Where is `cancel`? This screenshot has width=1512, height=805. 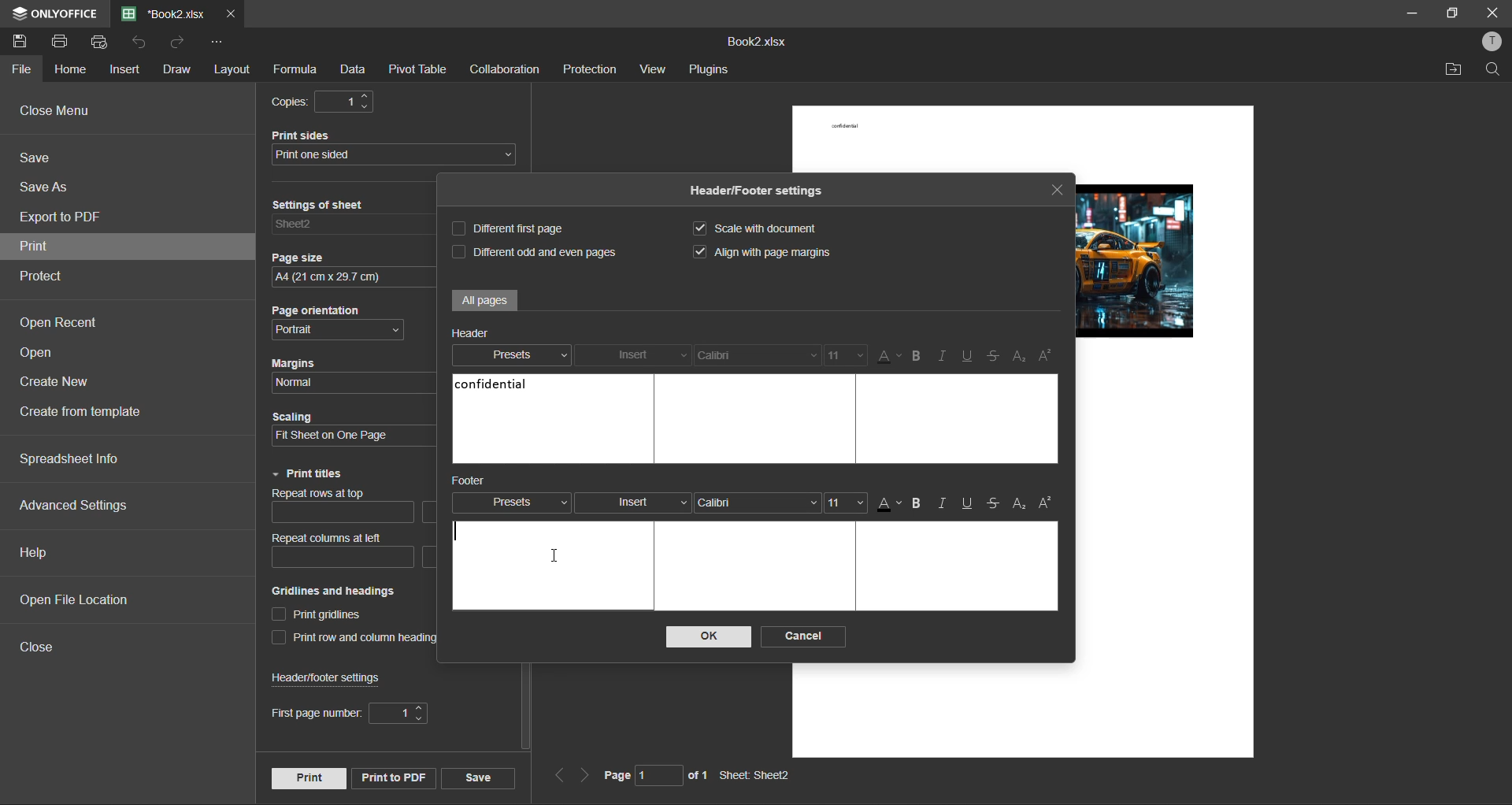
cancel is located at coordinates (802, 636).